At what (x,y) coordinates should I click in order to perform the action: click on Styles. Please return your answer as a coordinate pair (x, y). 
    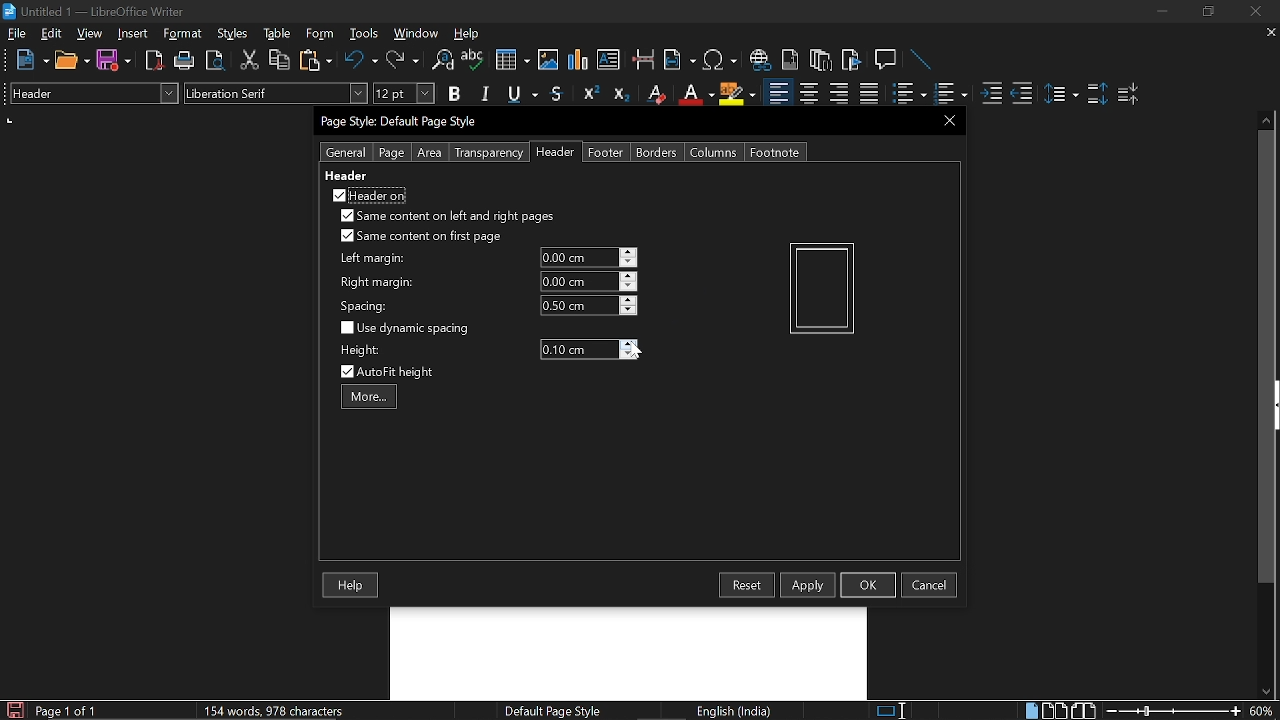
    Looking at the image, I should click on (233, 34).